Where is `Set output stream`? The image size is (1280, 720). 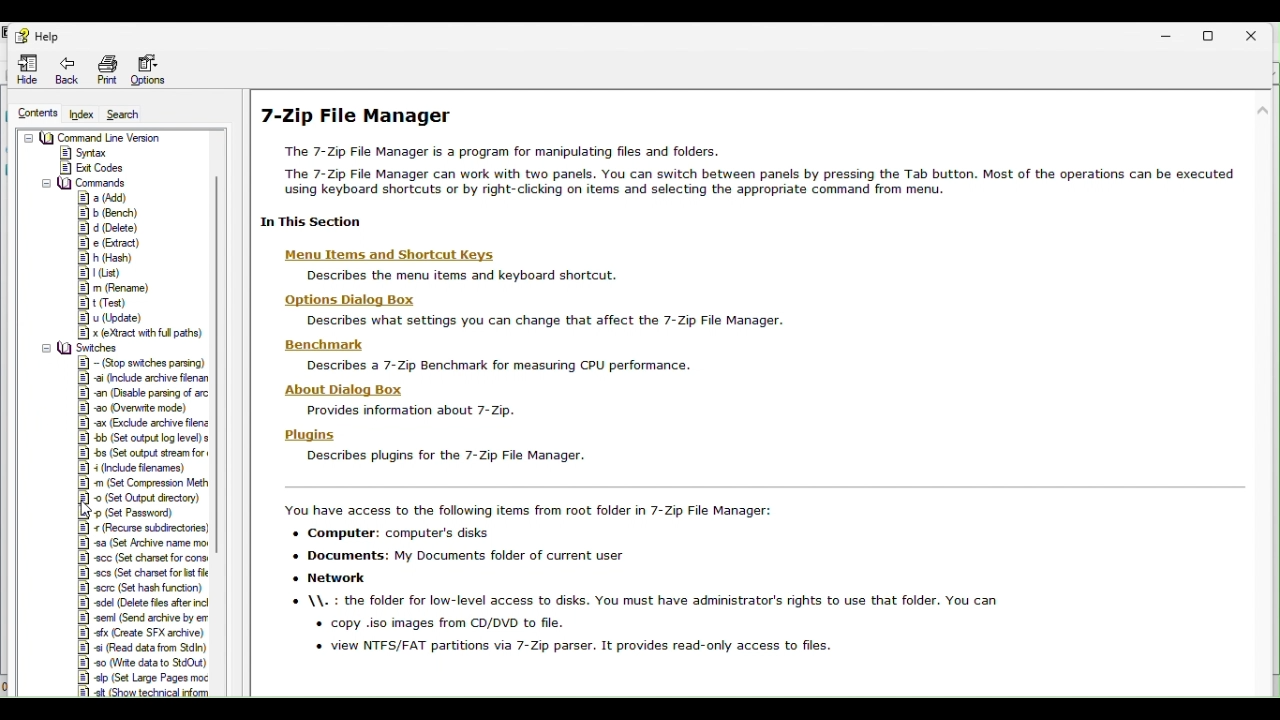 Set output stream is located at coordinates (143, 452).